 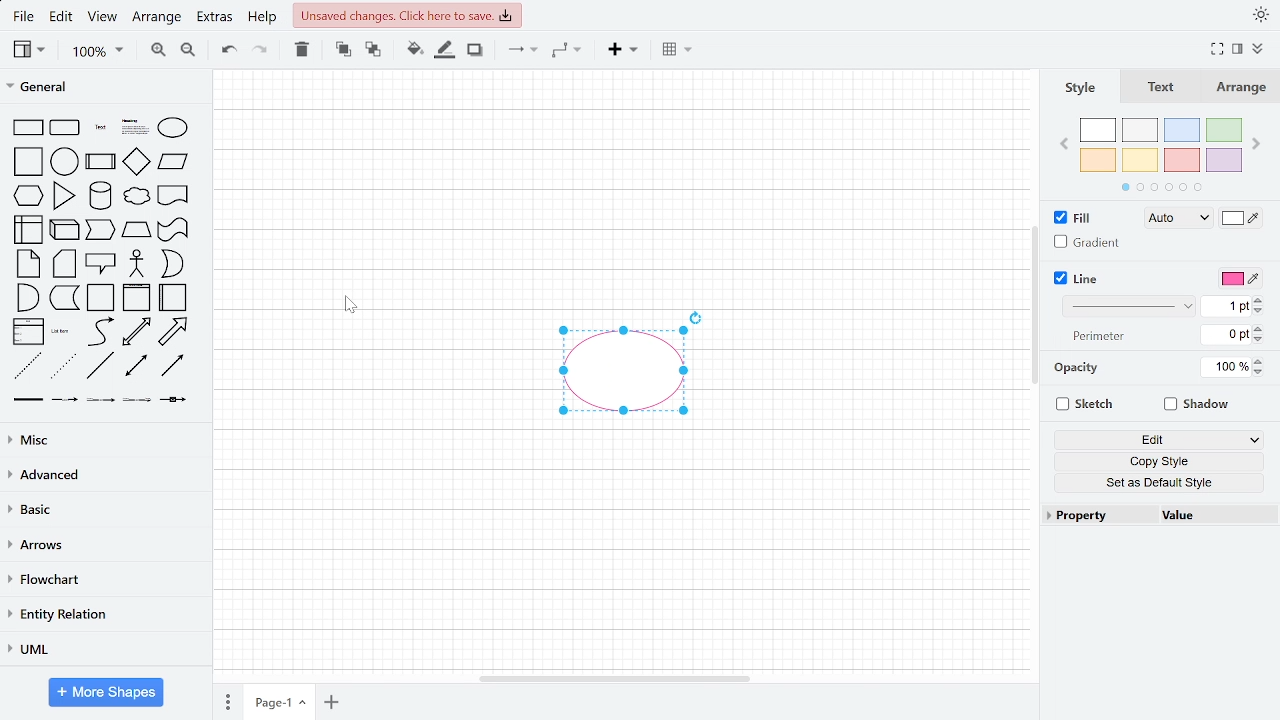 What do you see at coordinates (186, 50) in the screenshot?
I see `zoom out` at bounding box center [186, 50].